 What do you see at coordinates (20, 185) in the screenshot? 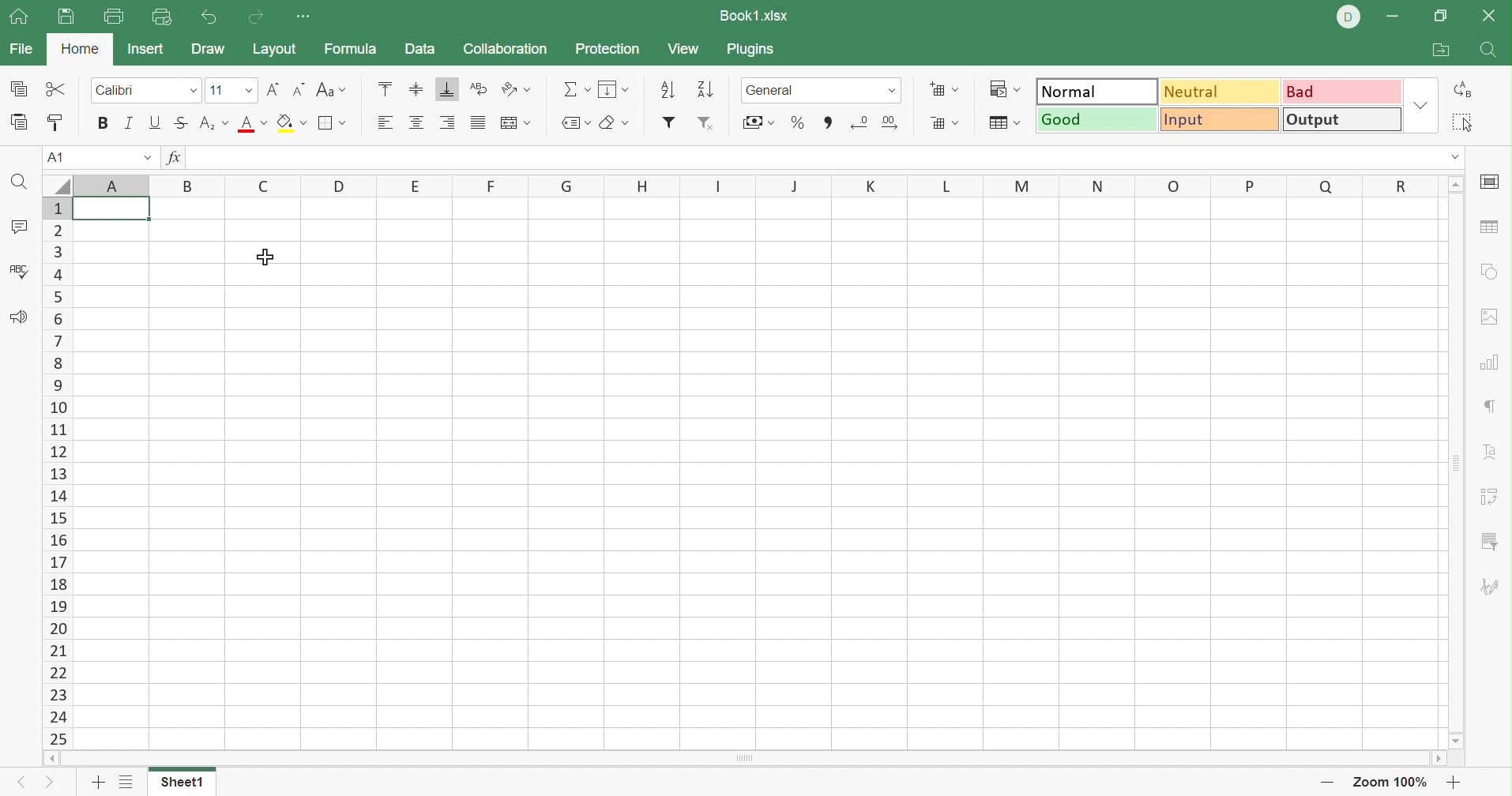
I see `Find` at bounding box center [20, 185].